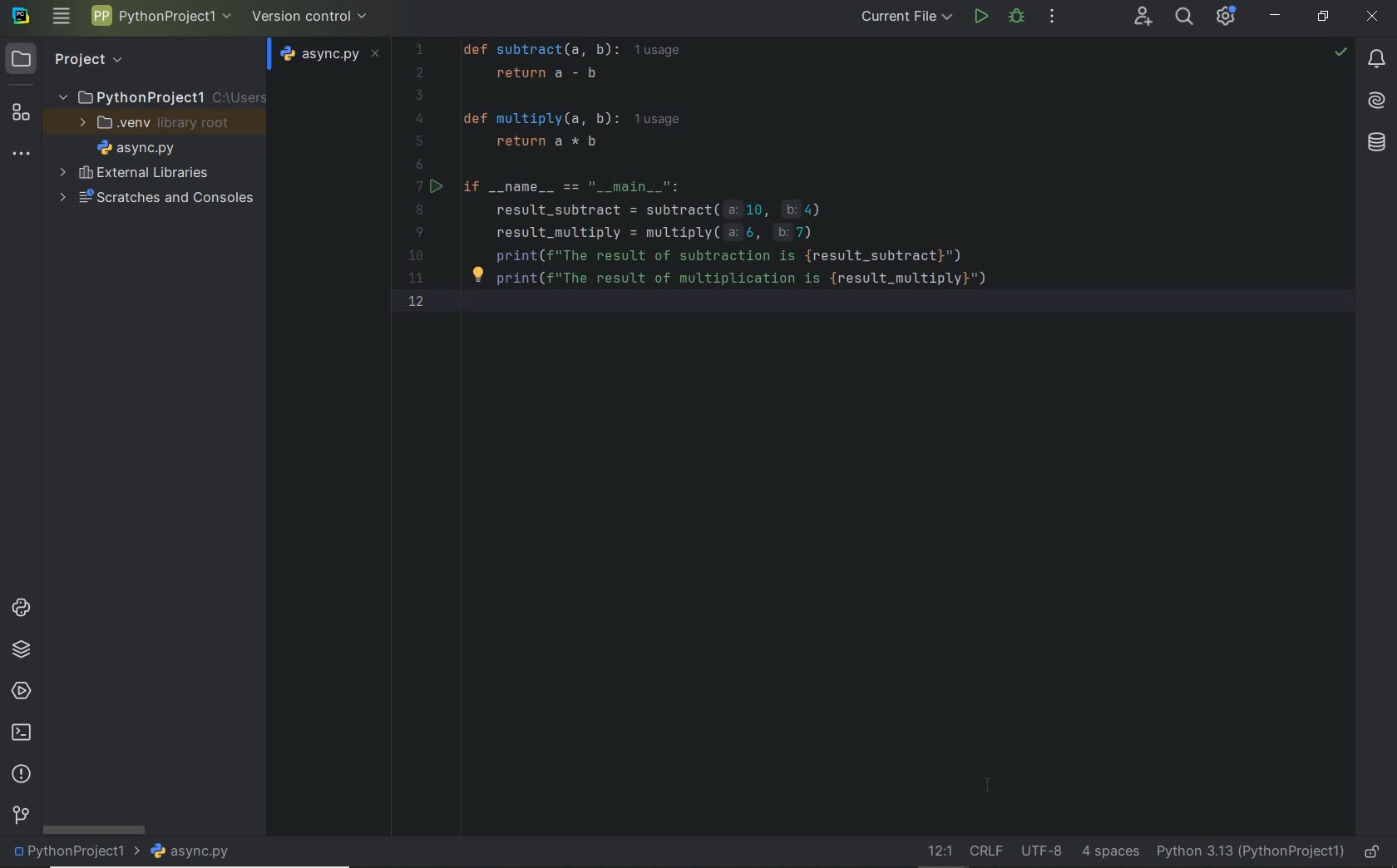 The image size is (1397, 868). What do you see at coordinates (72, 853) in the screenshot?
I see `project name` at bounding box center [72, 853].